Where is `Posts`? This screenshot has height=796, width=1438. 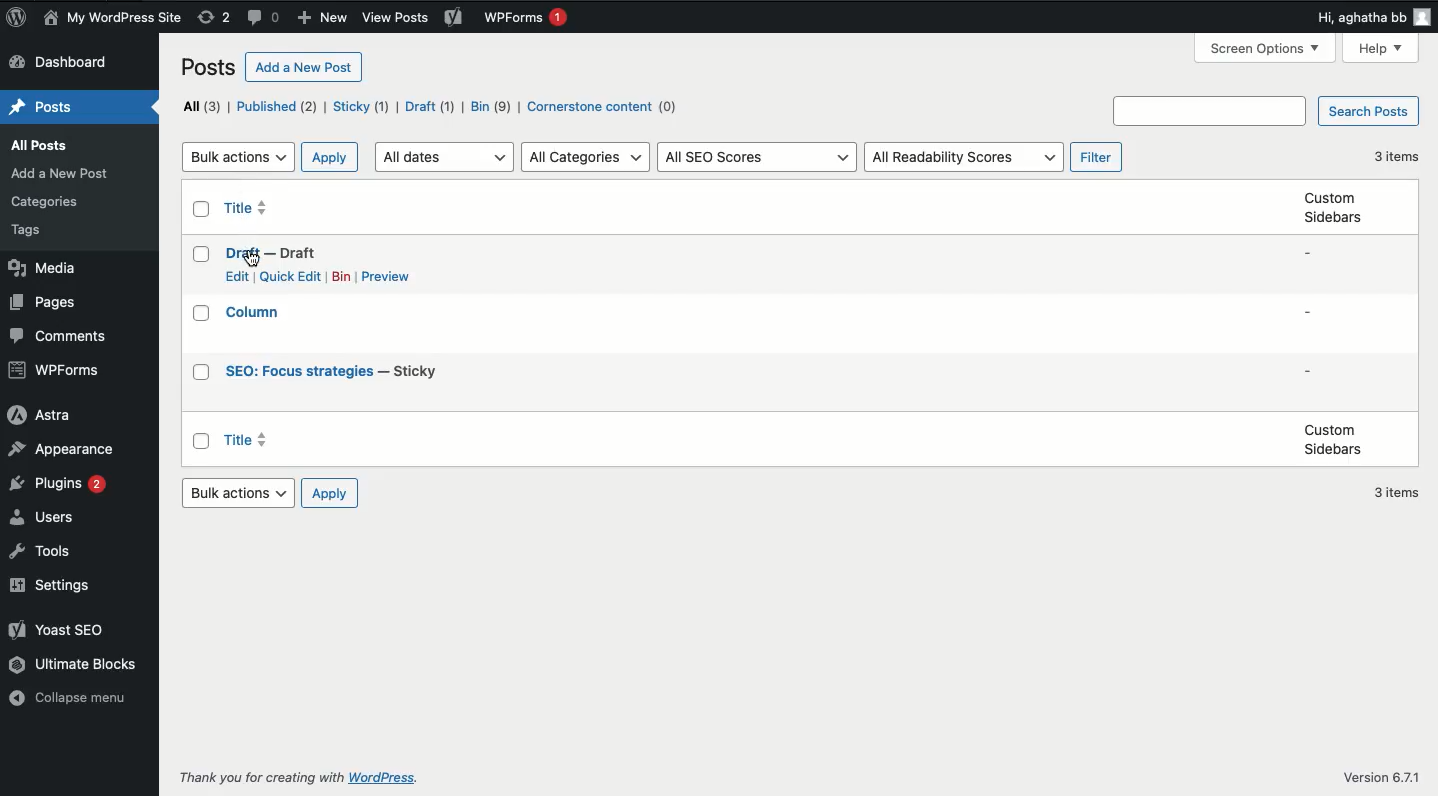
Posts is located at coordinates (208, 68).